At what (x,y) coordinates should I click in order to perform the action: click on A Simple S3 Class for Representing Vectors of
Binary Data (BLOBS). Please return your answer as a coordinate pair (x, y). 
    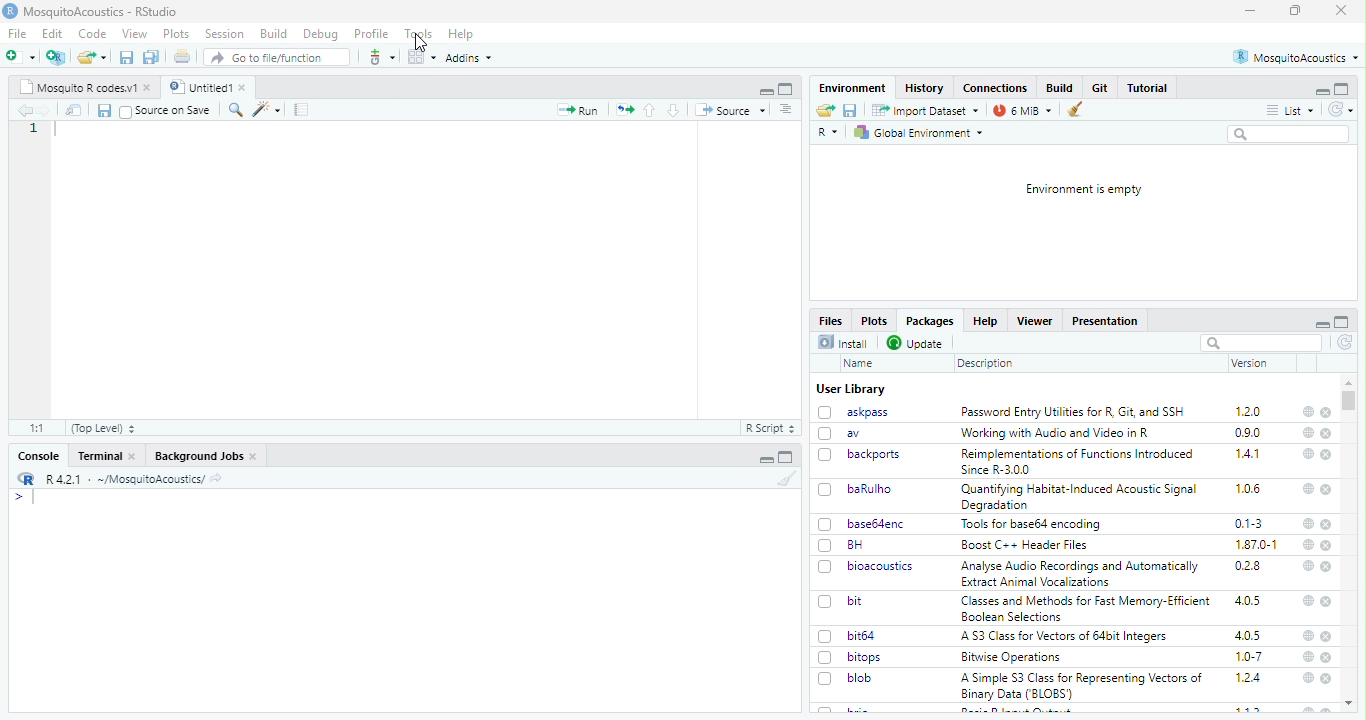
    Looking at the image, I should click on (1082, 687).